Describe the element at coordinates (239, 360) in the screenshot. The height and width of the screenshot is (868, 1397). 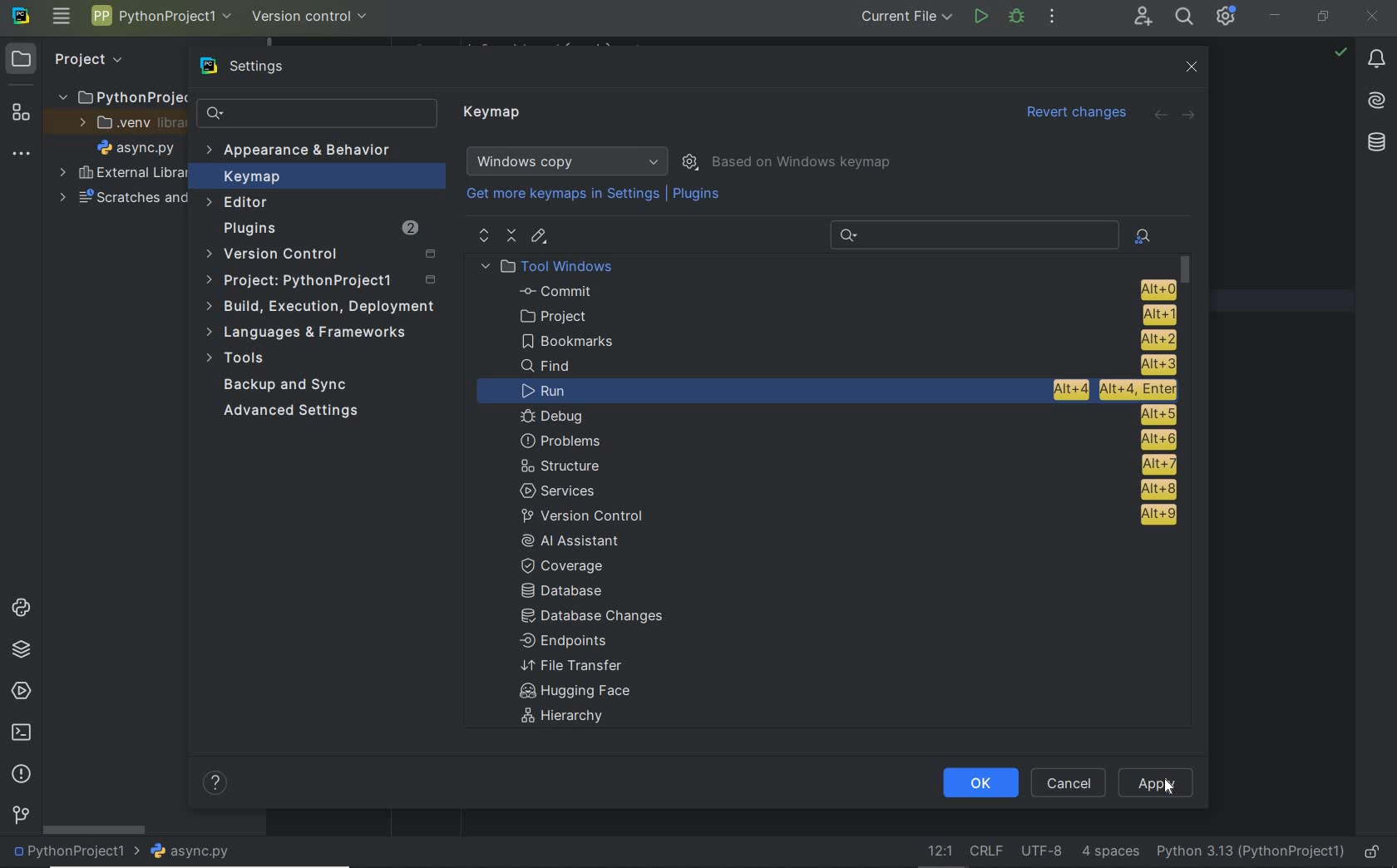
I see `Tools` at that location.